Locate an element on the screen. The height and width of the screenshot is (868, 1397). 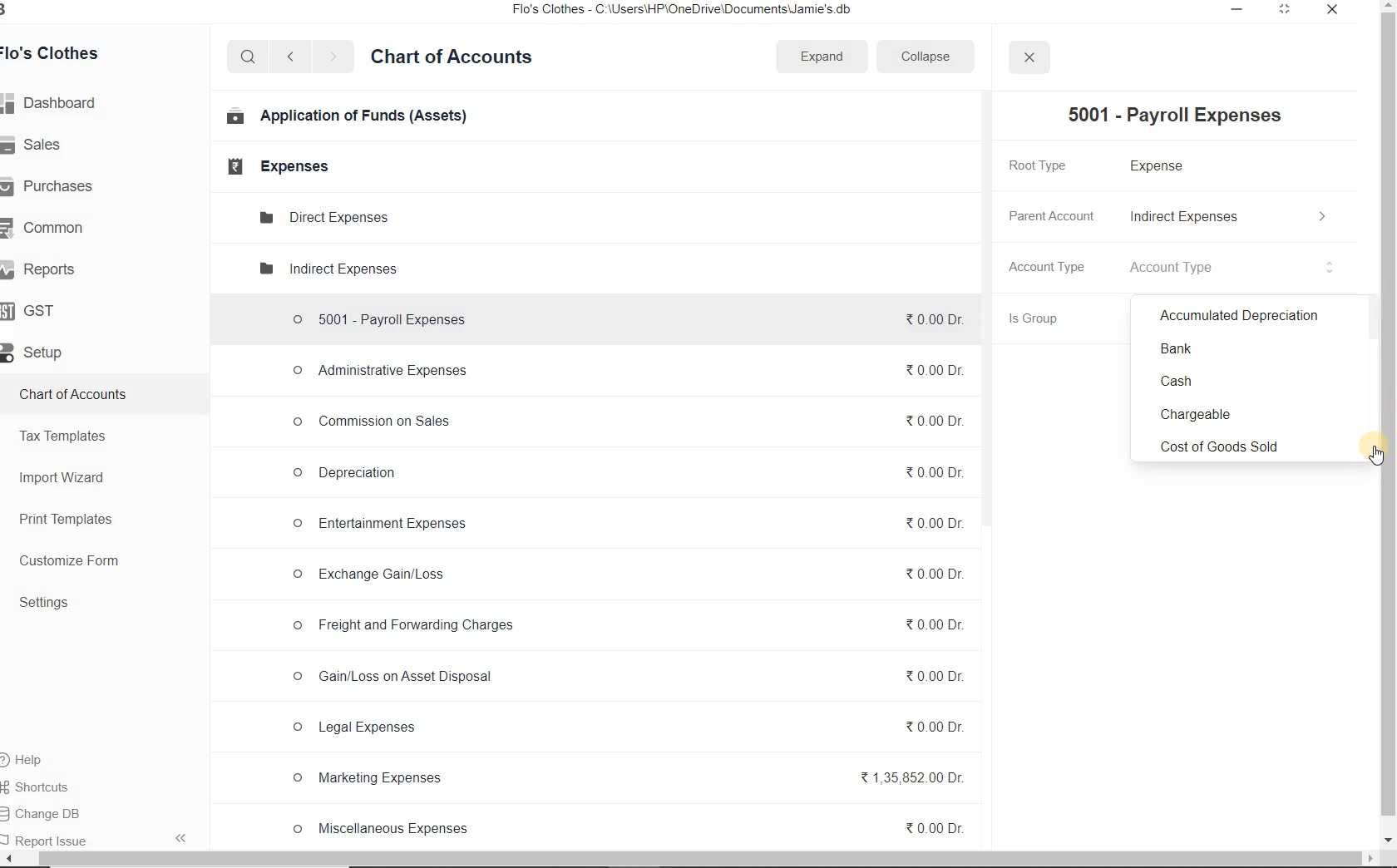
© Administrative Expenses %0.00Dr. is located at coordinates (628, 369).